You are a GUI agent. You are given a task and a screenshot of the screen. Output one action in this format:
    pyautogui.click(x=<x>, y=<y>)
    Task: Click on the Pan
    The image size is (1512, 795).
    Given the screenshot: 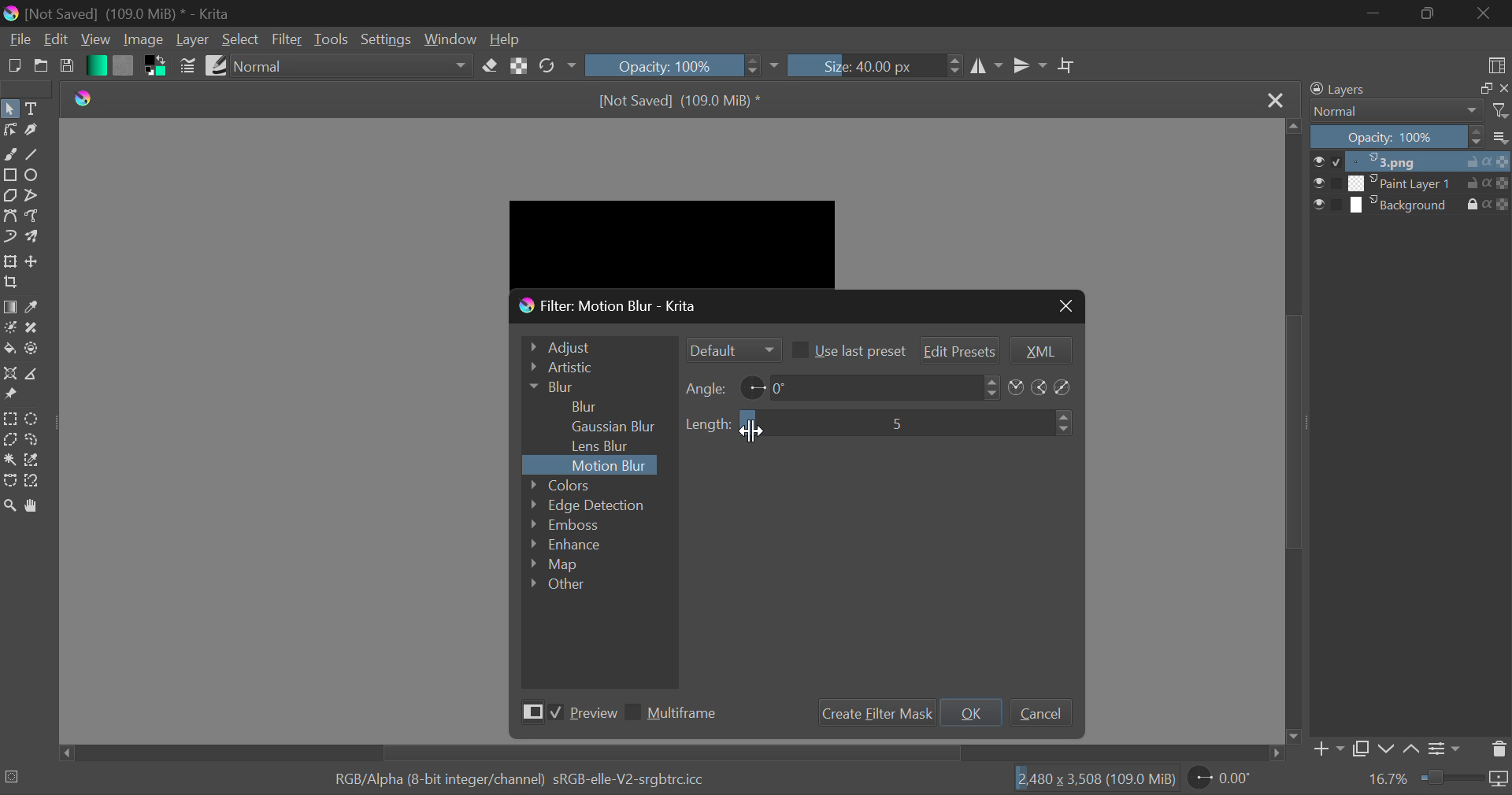 What is the action you would take?
    pyautogui.click(x=38, y=506)
    